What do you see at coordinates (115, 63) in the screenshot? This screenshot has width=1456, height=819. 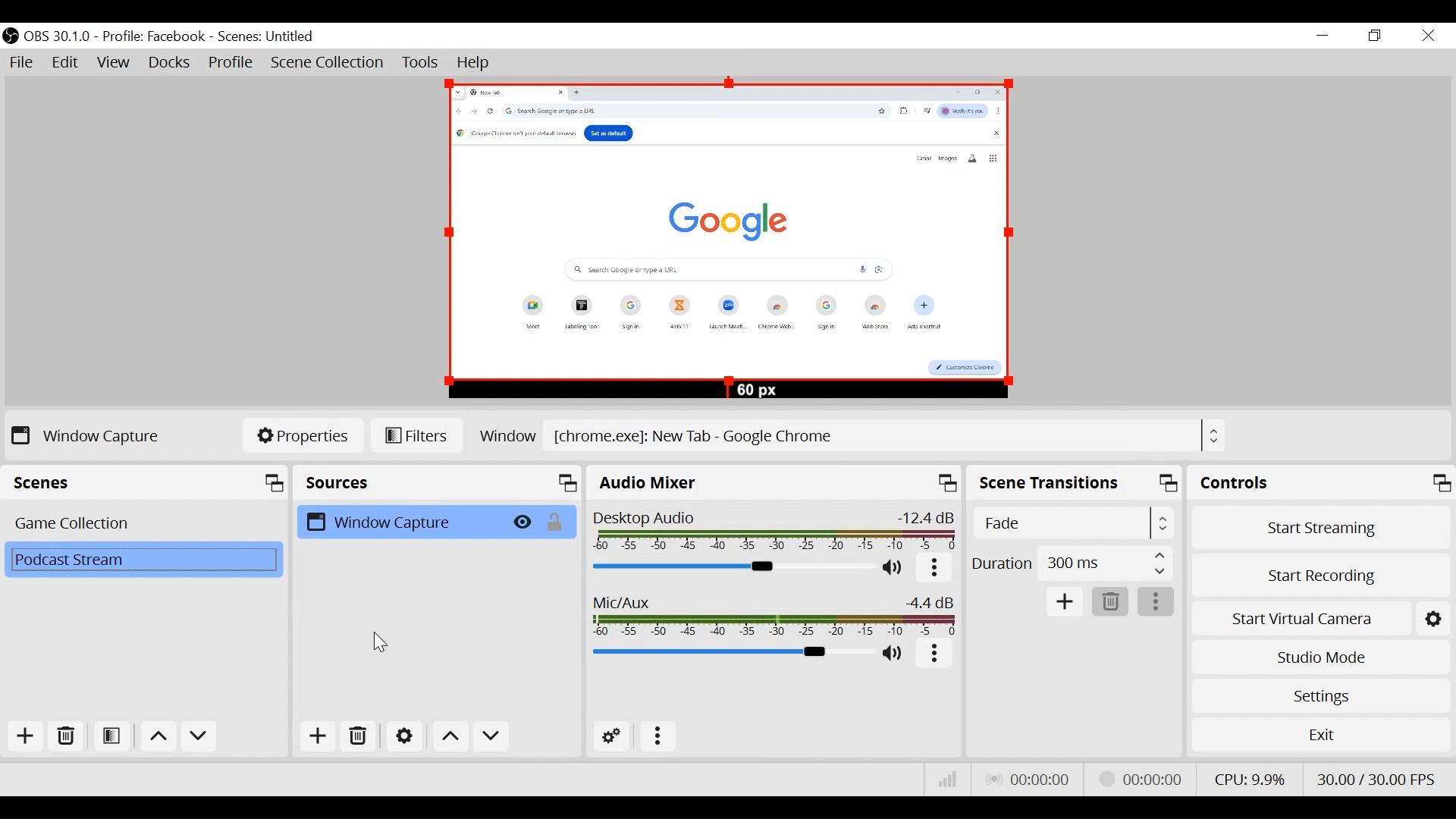 I see `View` at bounding box center [115, 63].